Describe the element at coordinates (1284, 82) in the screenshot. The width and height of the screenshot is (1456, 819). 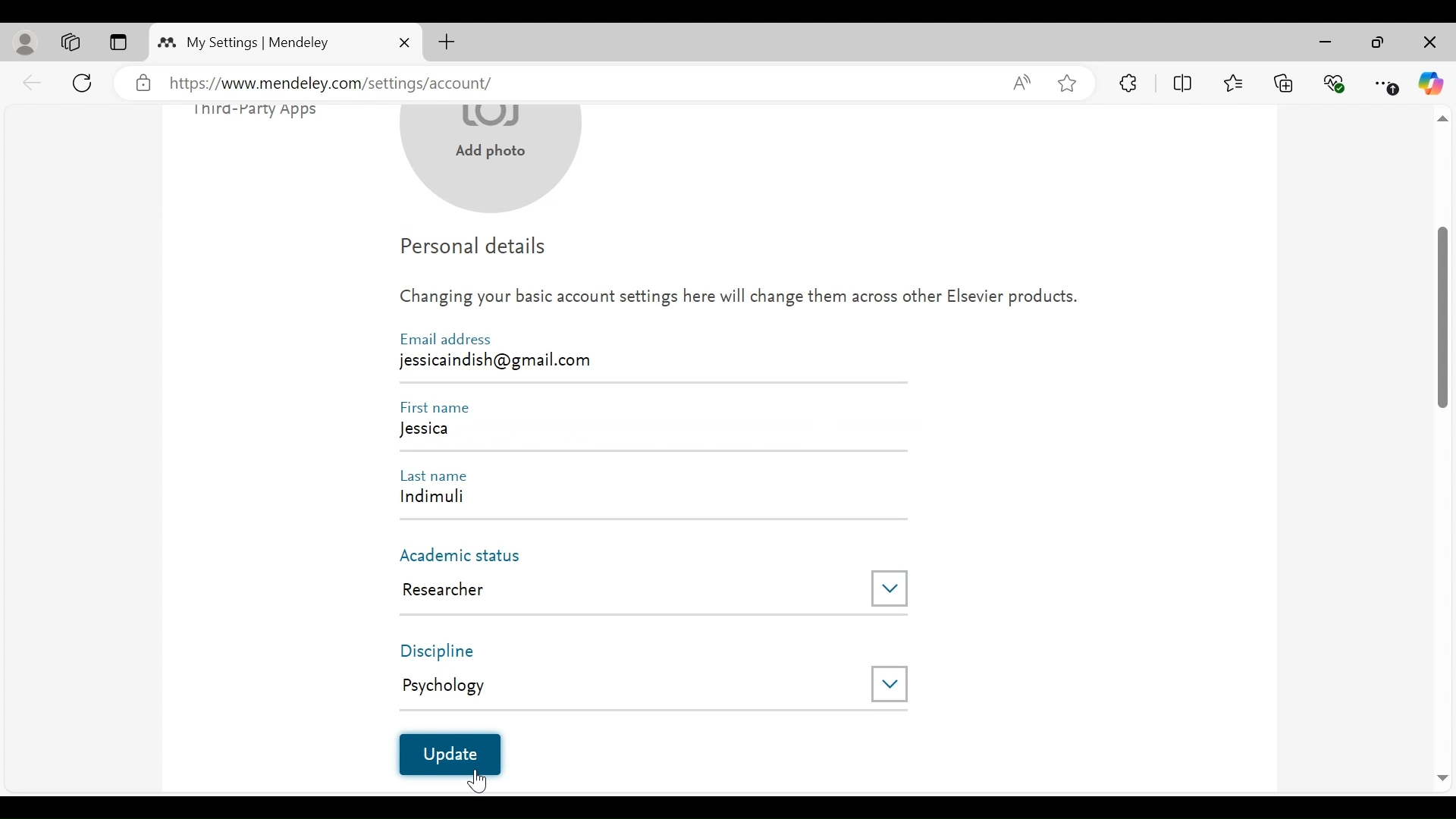
I see `Collections` at that location.